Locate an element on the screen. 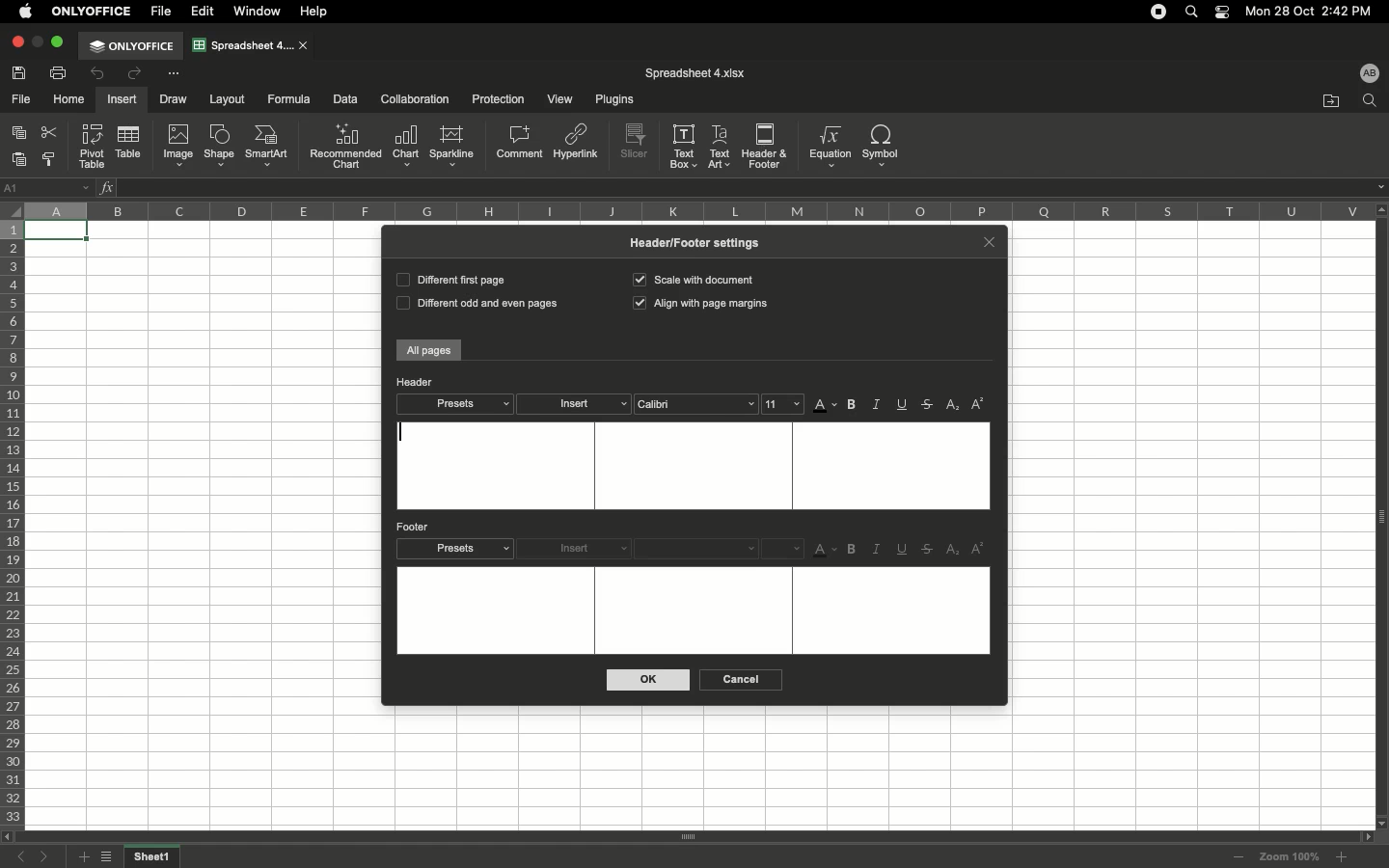 This screenshot has height=868, width=1389. Presets is located at coordinates (456, 549).